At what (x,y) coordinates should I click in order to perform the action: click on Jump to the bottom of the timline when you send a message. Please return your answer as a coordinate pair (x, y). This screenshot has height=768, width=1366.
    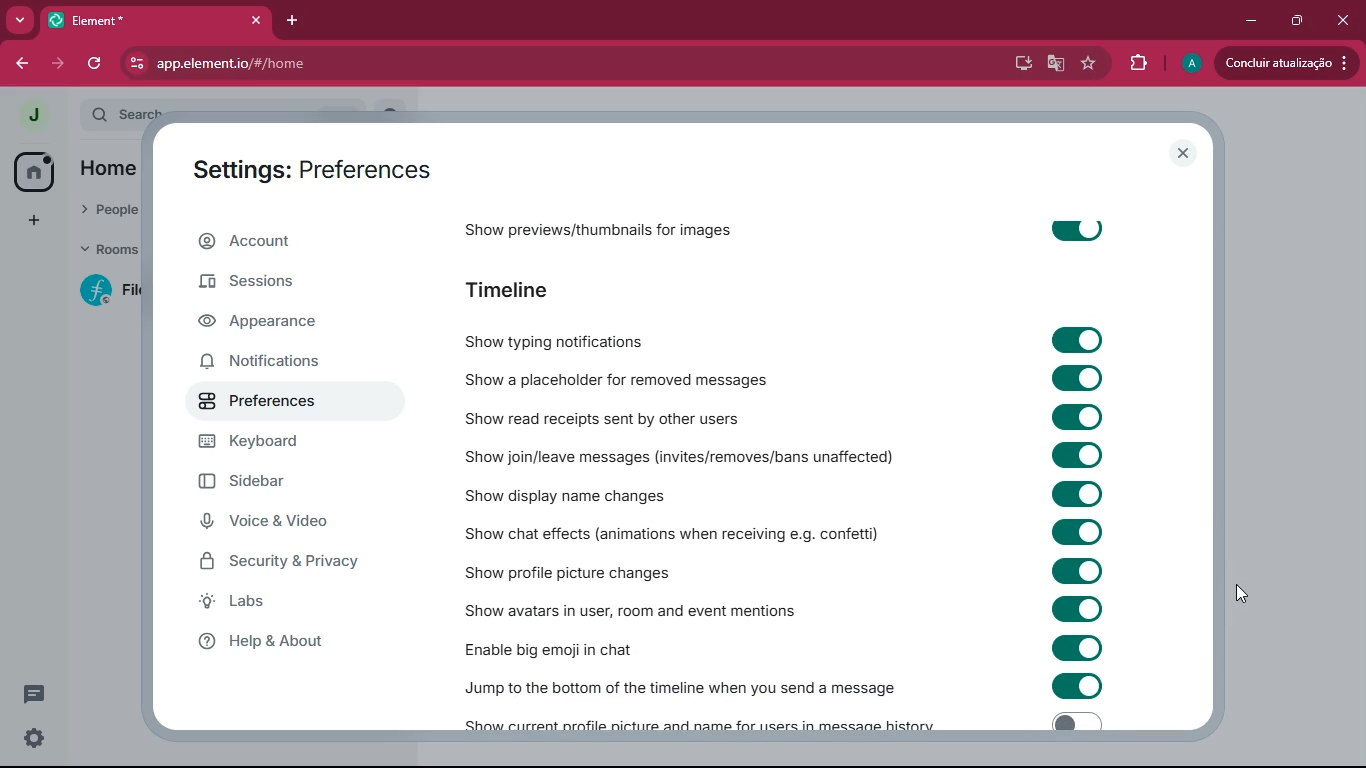
    Looking at the image, I should click on (680, 688).